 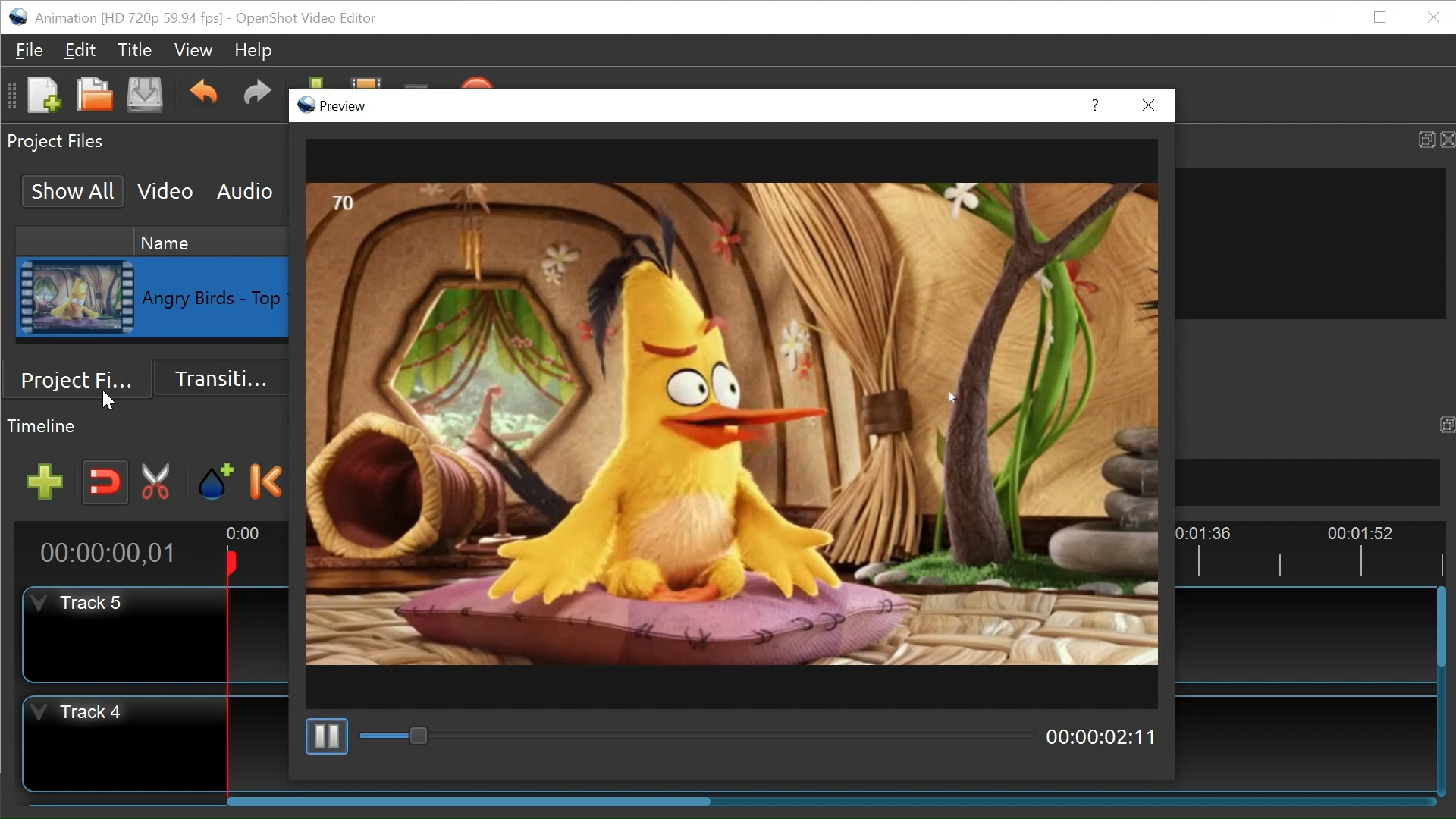 What do you see at coordinates (94, 95) in the screenshot?
I see `Open Project` at bounding box center [94, 95].